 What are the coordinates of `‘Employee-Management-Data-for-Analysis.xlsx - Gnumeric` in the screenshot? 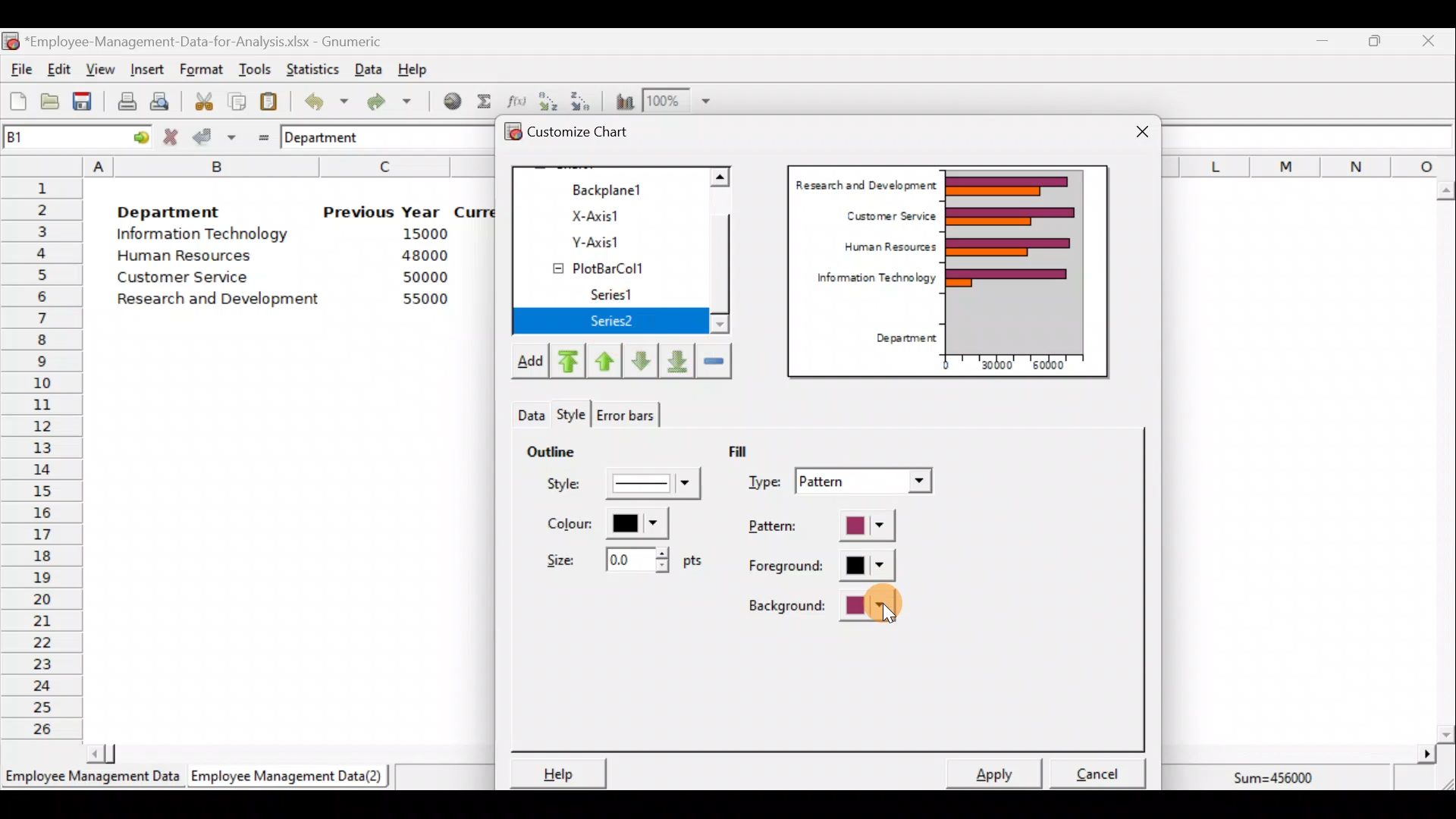 It's located at (208, 40).